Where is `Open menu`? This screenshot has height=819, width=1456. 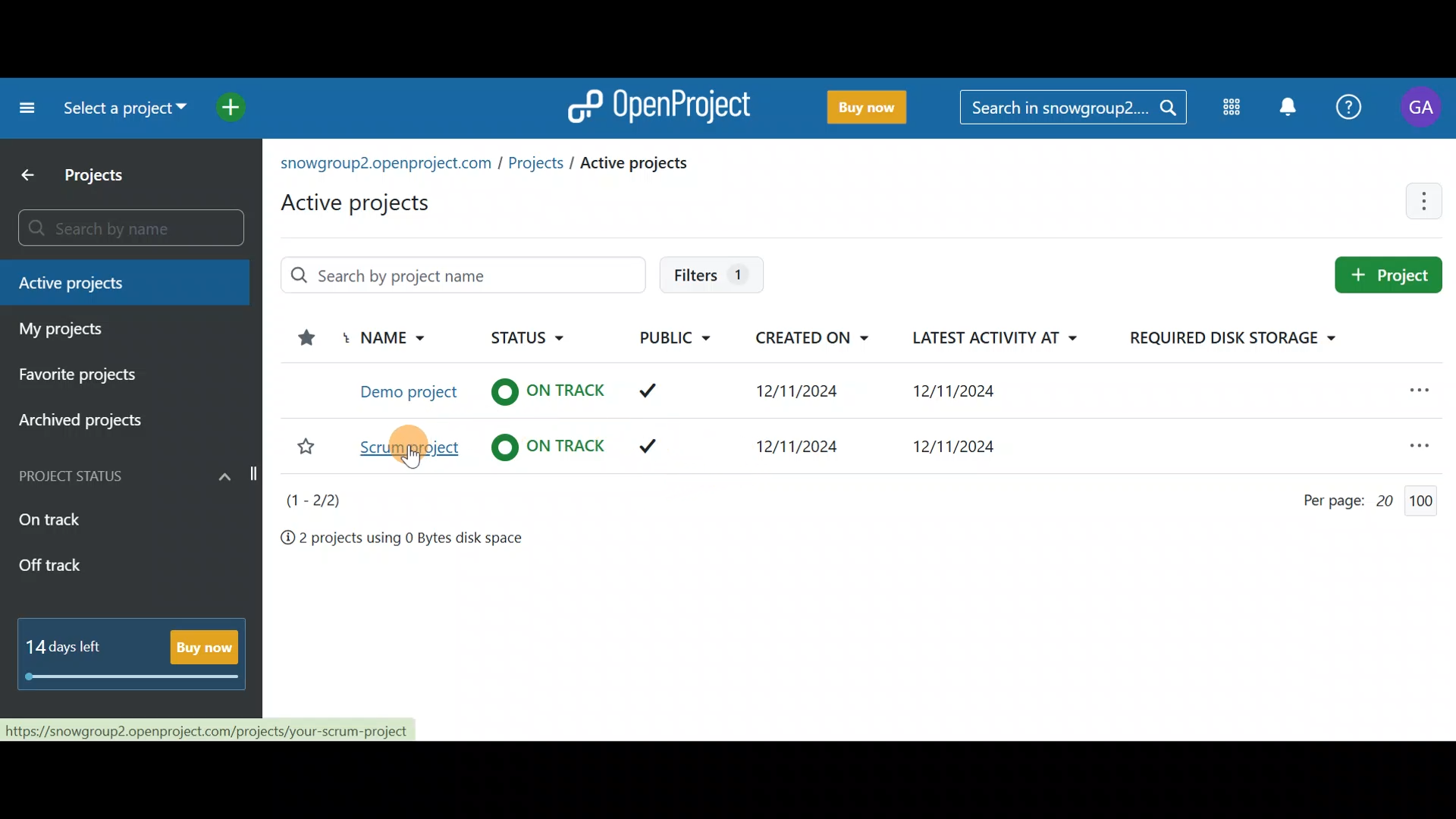 Open menu is located at coordinates (1402, 391).